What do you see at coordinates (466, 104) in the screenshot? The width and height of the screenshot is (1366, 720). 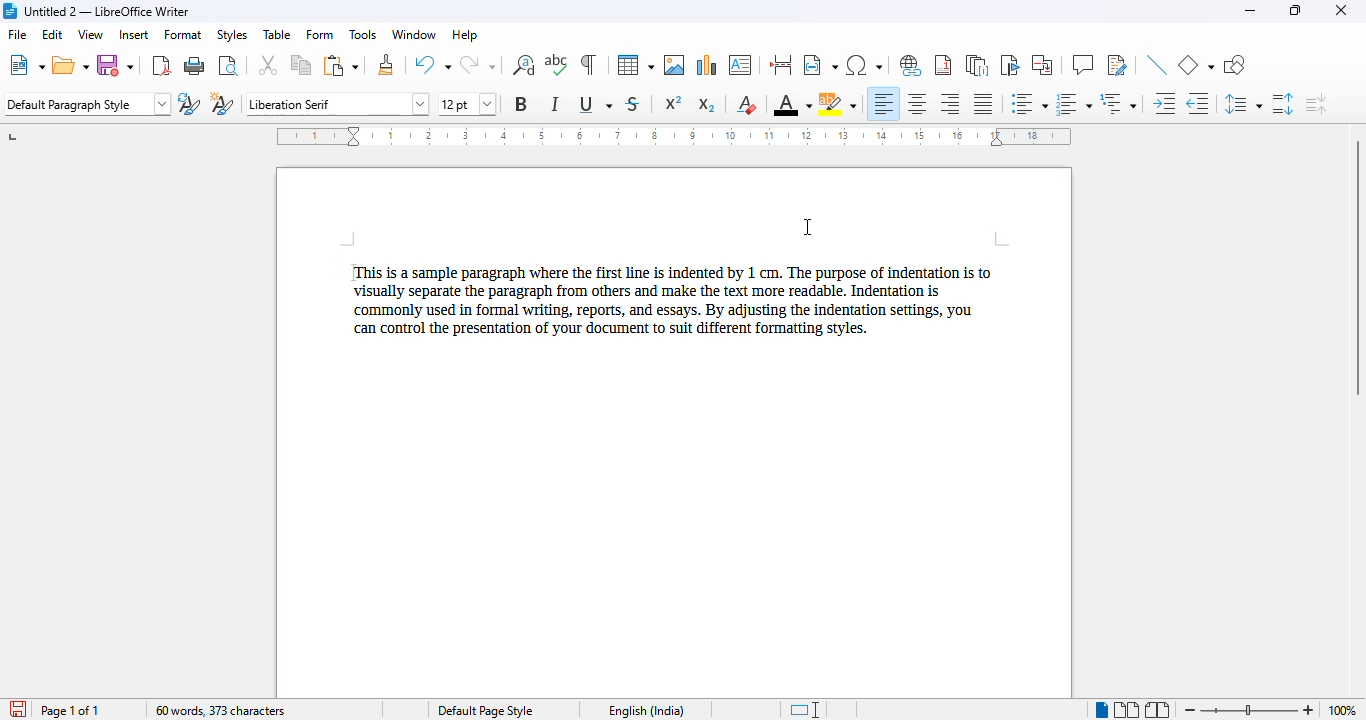 I see `font size` at bounding box center [466, 104].